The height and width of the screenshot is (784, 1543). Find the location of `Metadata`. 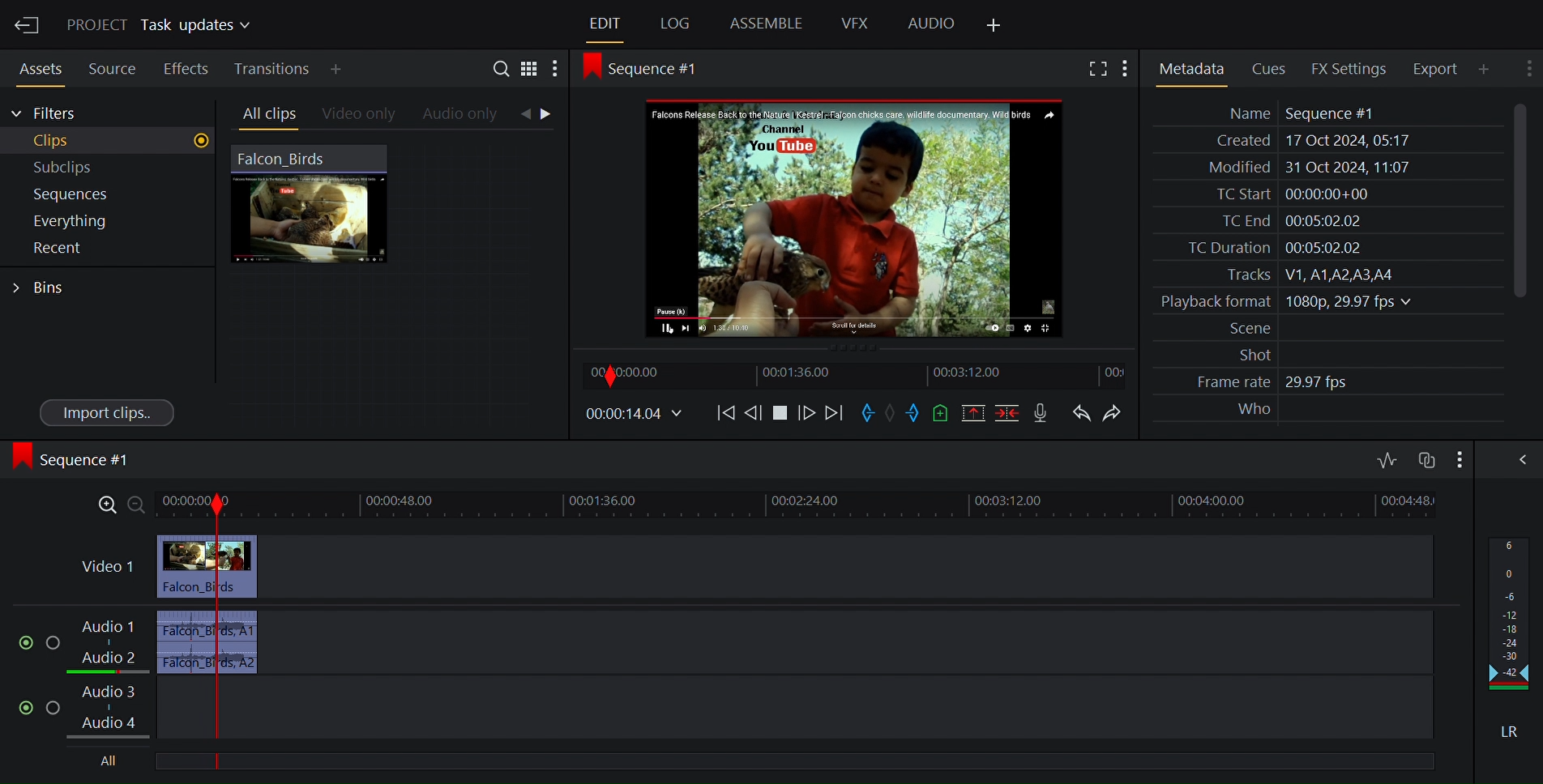

Metadata is located at coordinates (1191, 66).